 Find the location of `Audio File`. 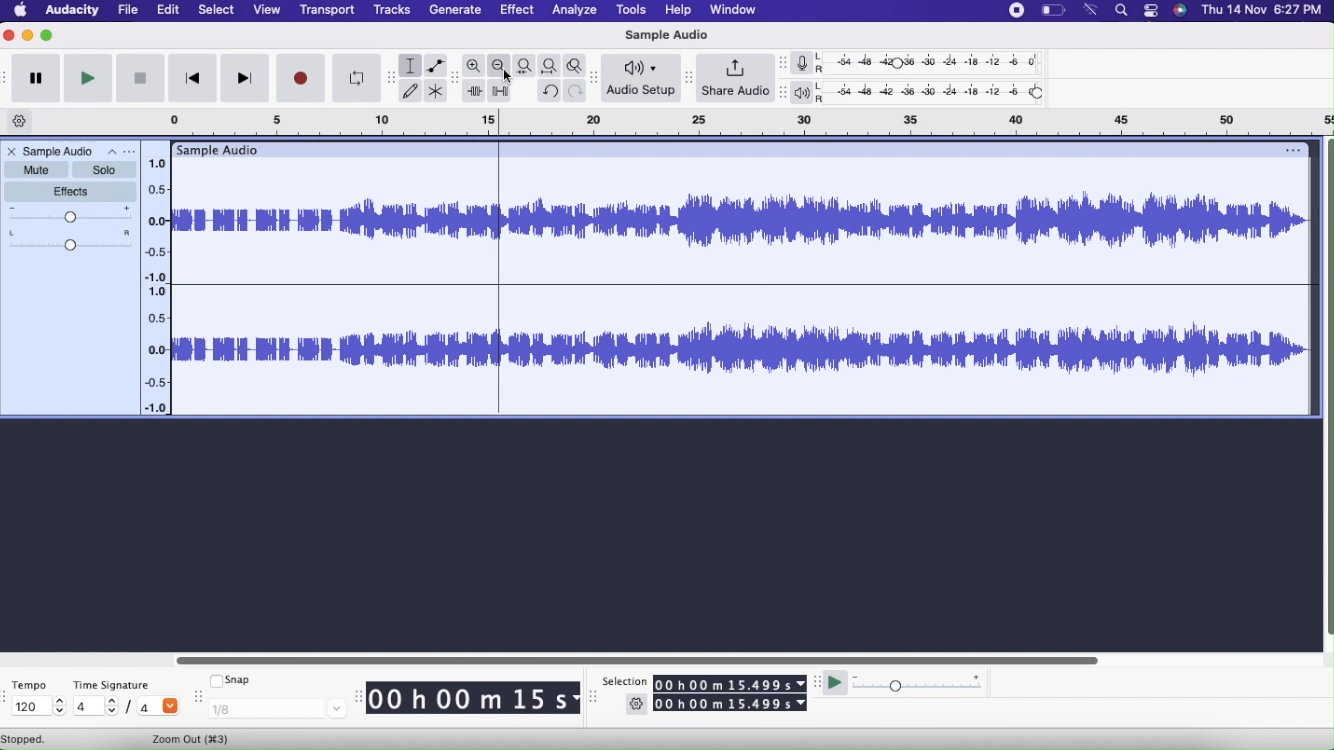

Audio File is located at coordinates (742, 282).